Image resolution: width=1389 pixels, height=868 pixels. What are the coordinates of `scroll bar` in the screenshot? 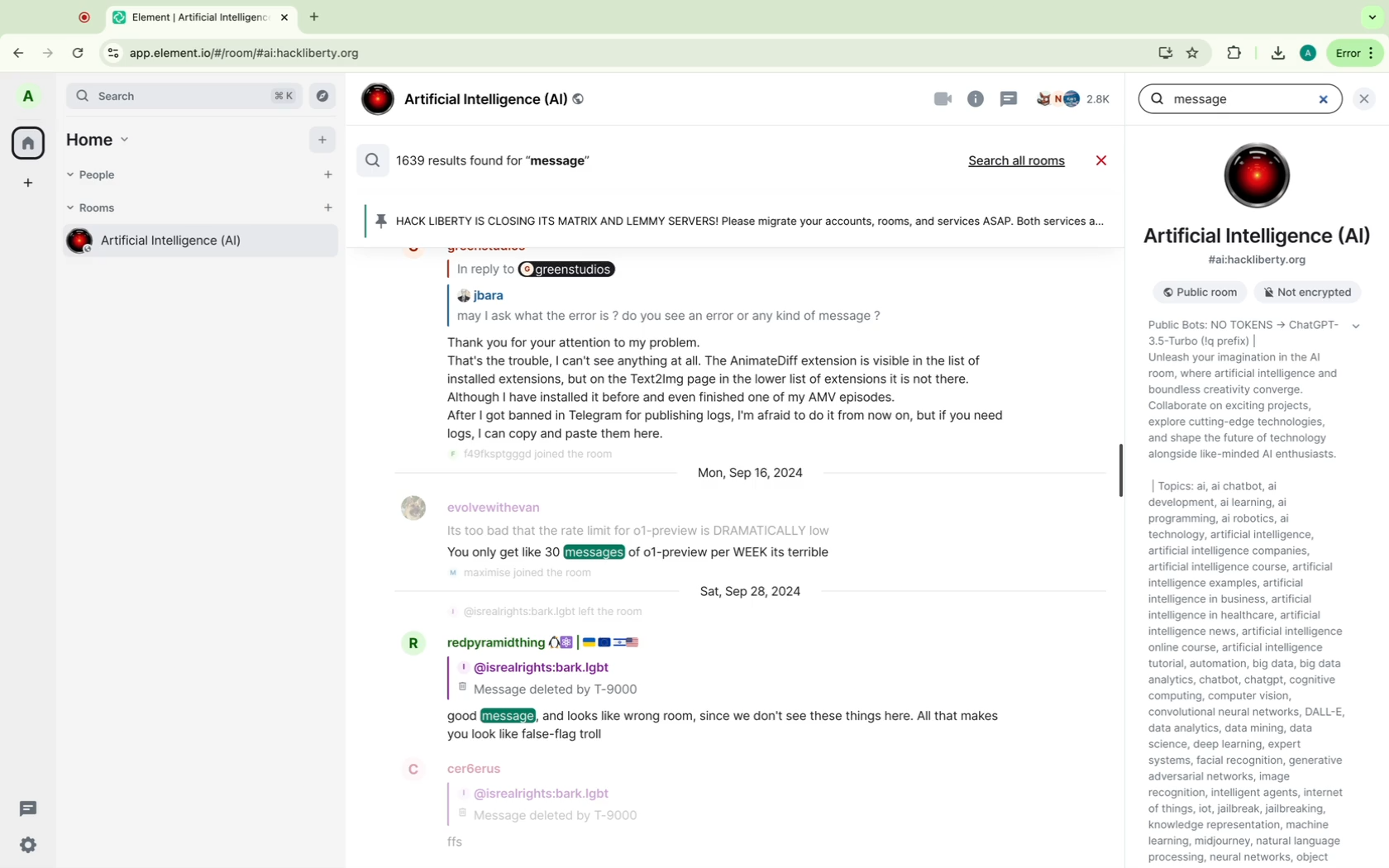 It's located at (1119, 470).